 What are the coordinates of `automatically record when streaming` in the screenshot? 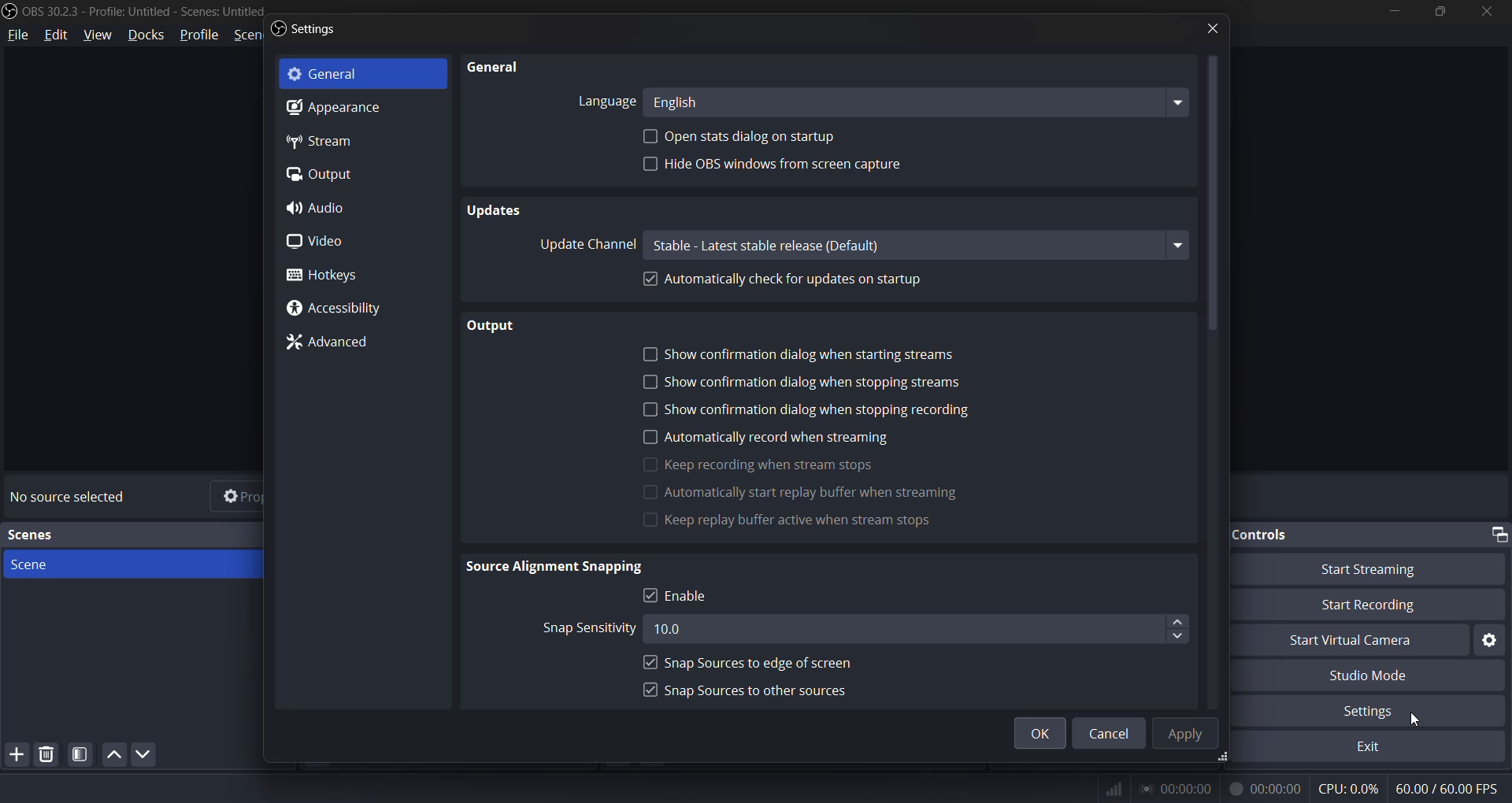 It's located at (784, 438).